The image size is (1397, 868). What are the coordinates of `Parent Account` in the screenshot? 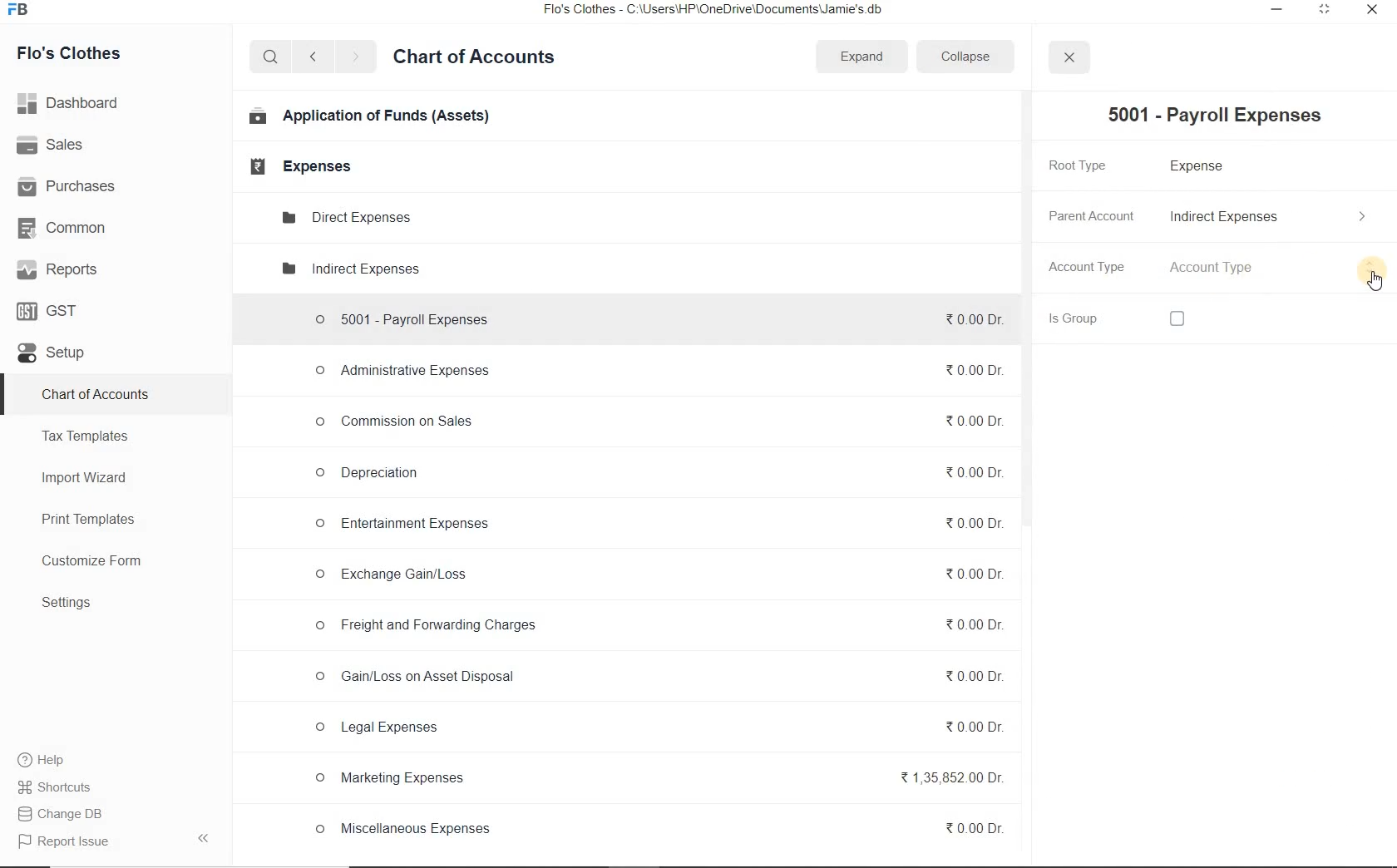 It's located at (1090, 215).